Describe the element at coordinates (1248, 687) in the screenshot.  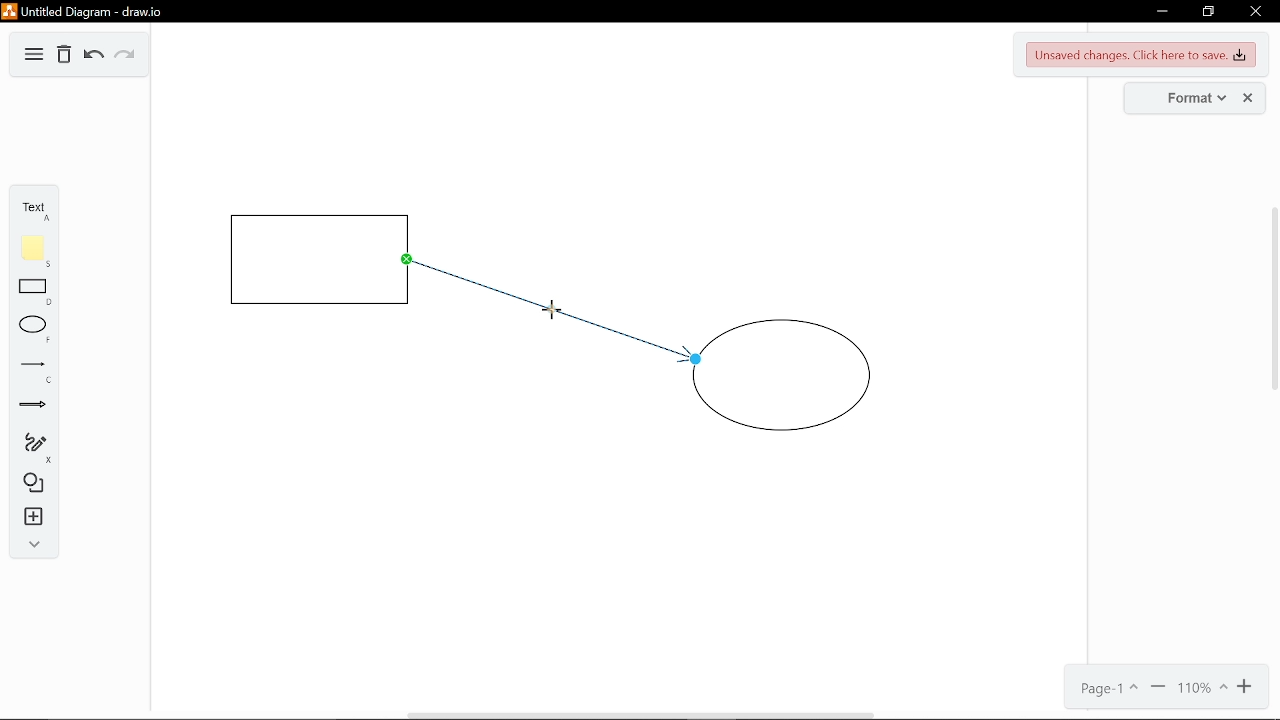
I see `Zoom in` at that location.